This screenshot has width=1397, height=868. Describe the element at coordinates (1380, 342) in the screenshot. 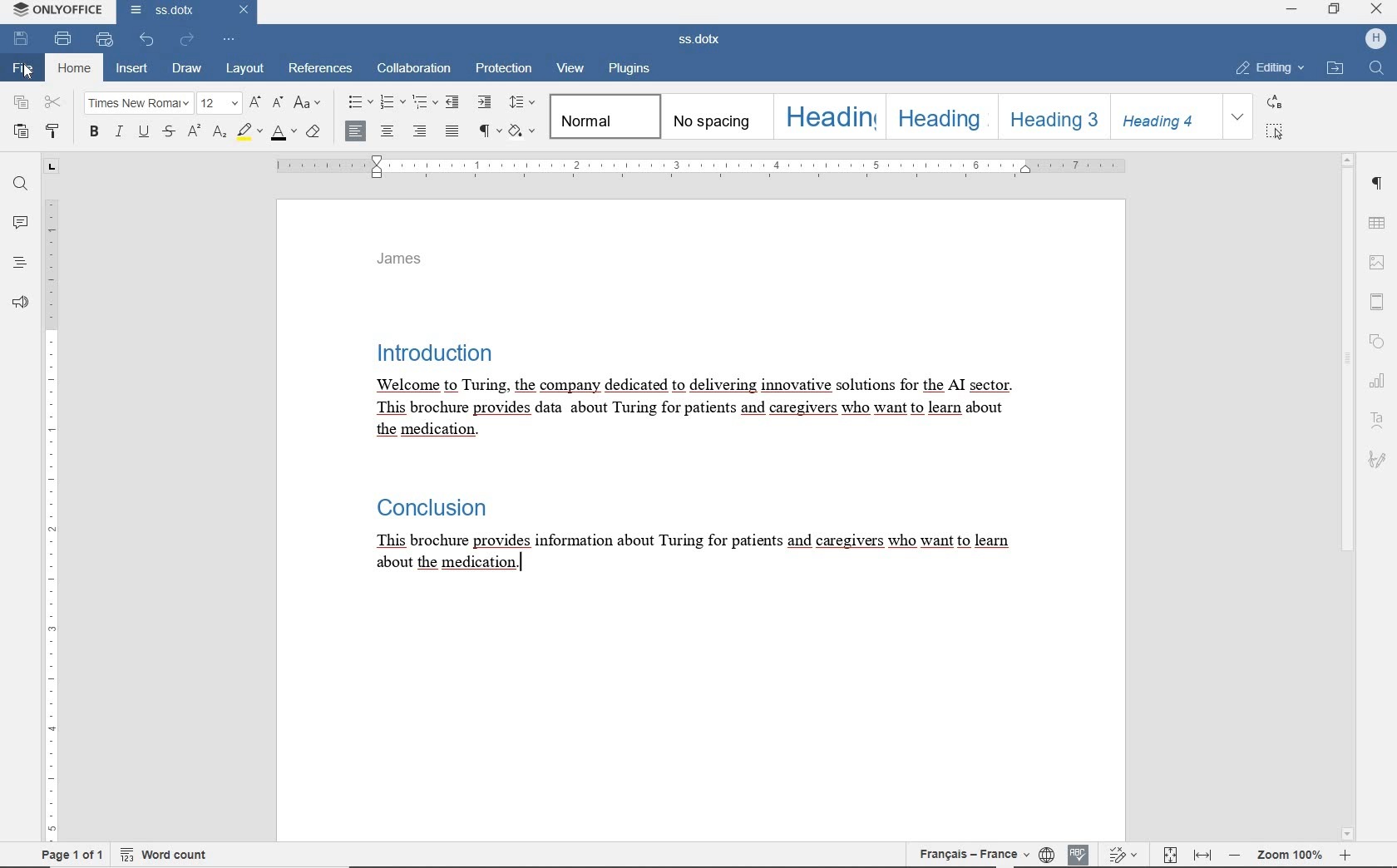

I see `SHAPE` at that location.